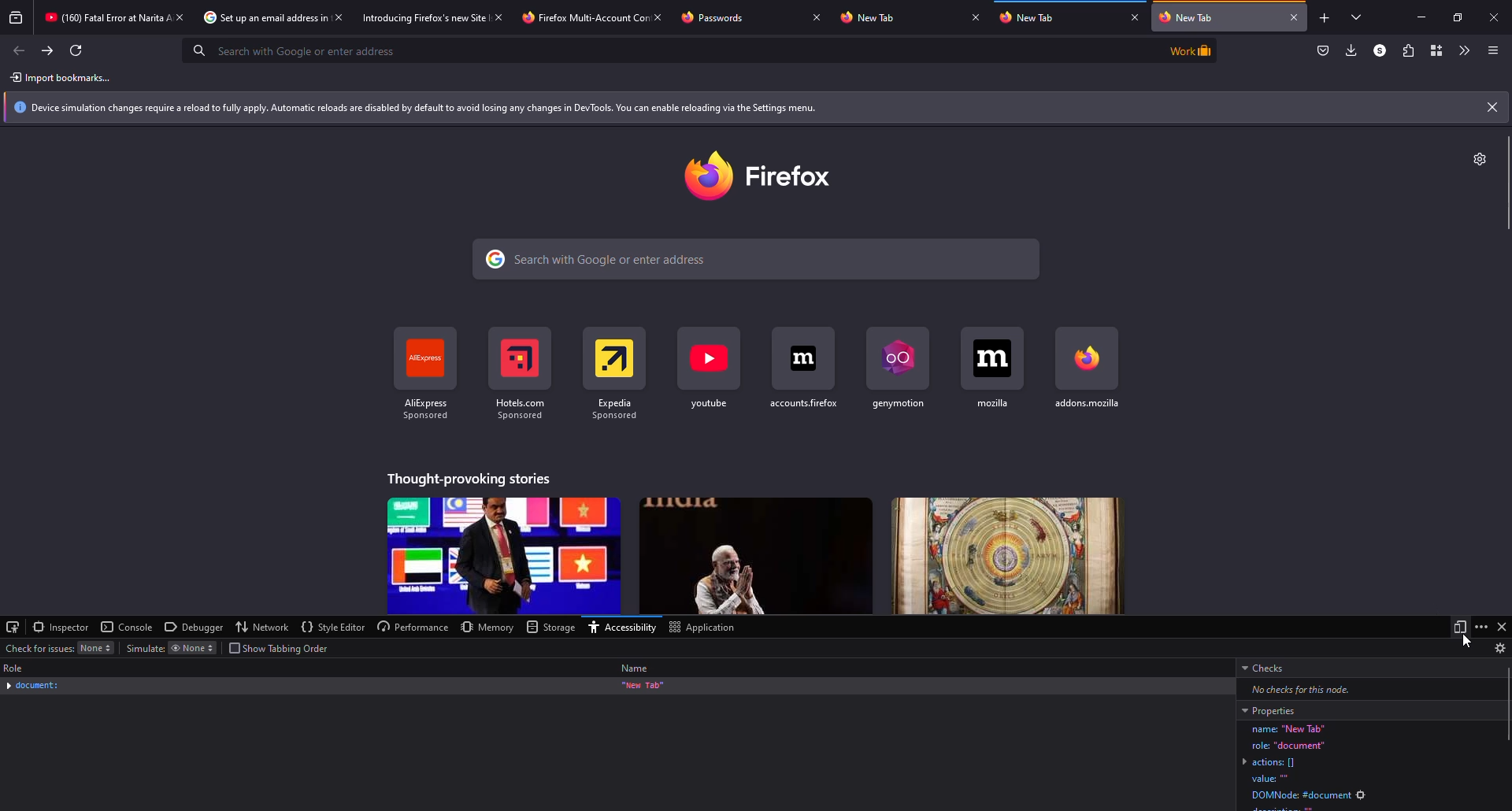  I want to click on more tools, so click(1462, 50).